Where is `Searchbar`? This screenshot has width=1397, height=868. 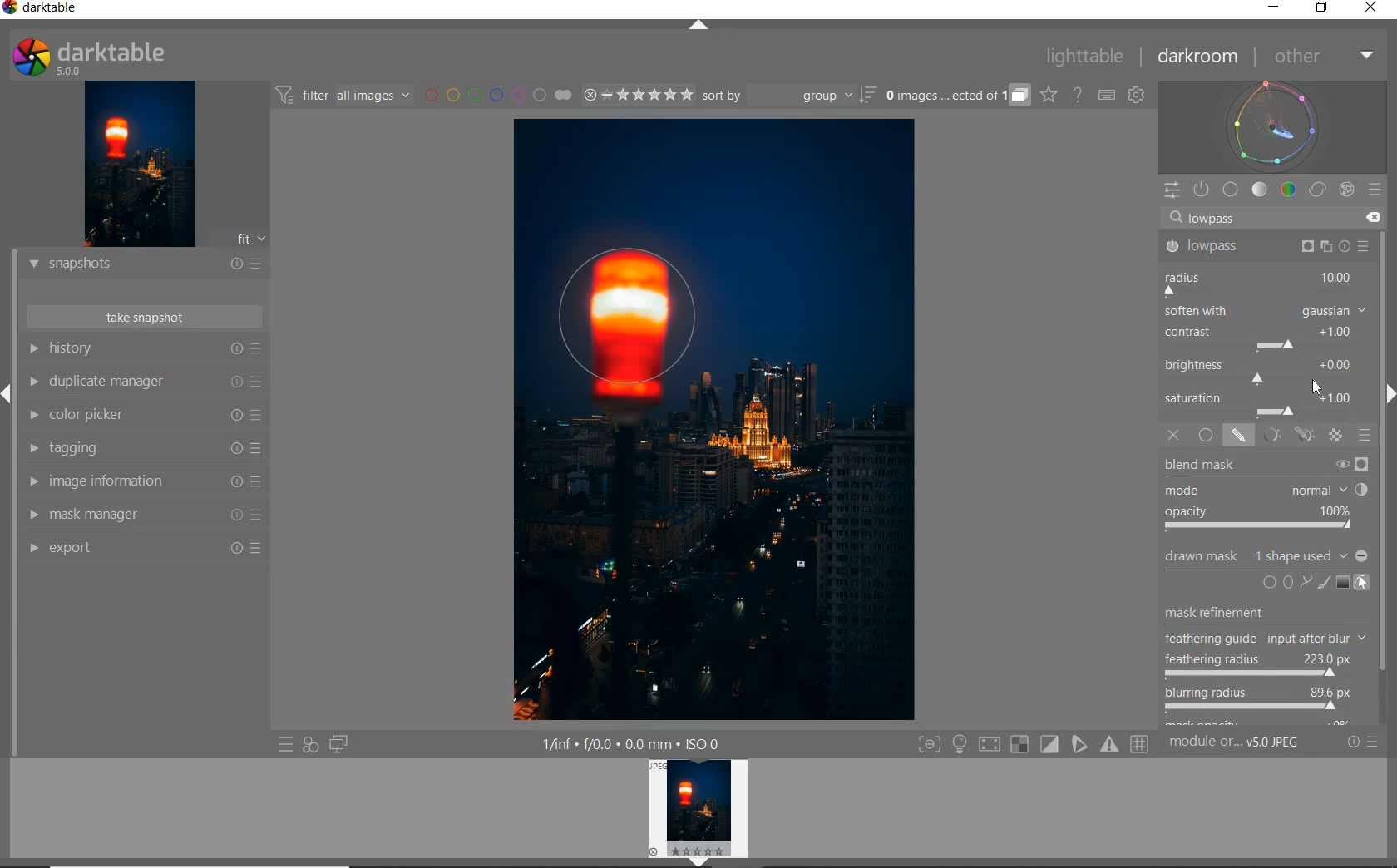 Searchbar is located at coordinates (1259, 217).